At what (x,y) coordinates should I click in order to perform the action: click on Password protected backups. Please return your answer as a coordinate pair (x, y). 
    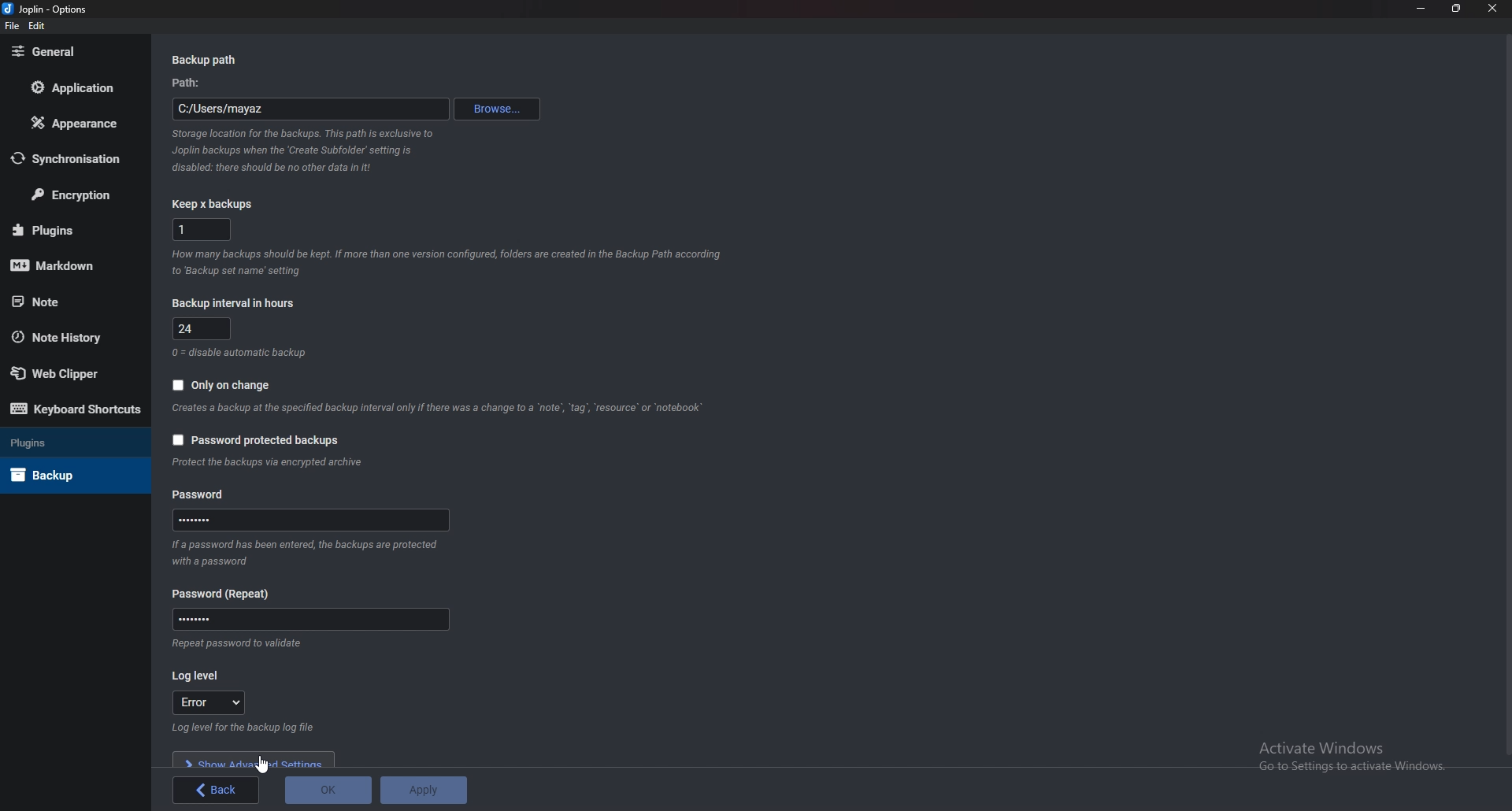
    Looking at the image, I should click on (256, 440).